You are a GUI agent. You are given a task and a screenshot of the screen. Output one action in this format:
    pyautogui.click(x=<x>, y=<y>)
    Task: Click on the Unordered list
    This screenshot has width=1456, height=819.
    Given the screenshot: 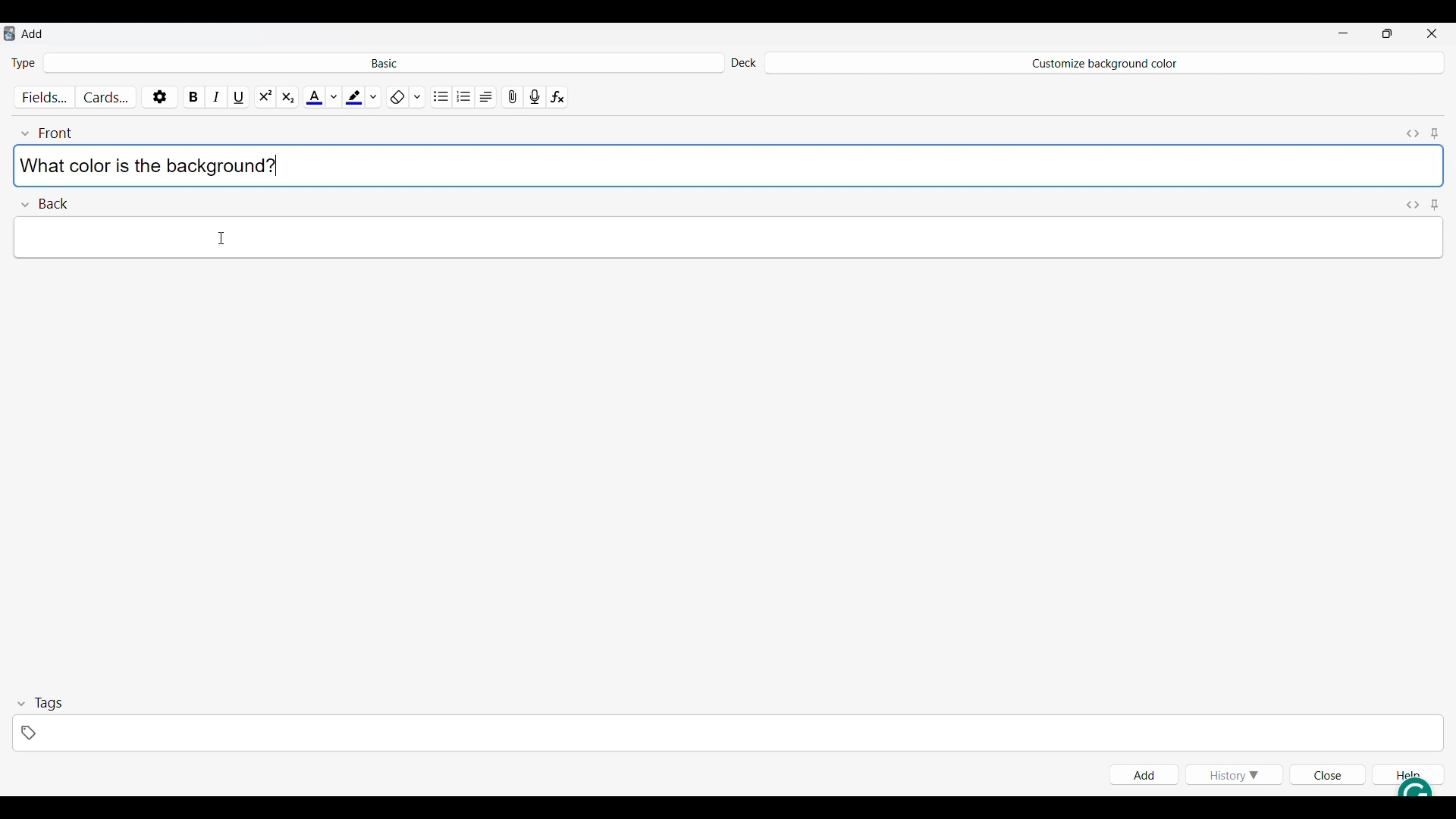 What is the action you would take?
    pyautogui.click(x=442, y=95)
    